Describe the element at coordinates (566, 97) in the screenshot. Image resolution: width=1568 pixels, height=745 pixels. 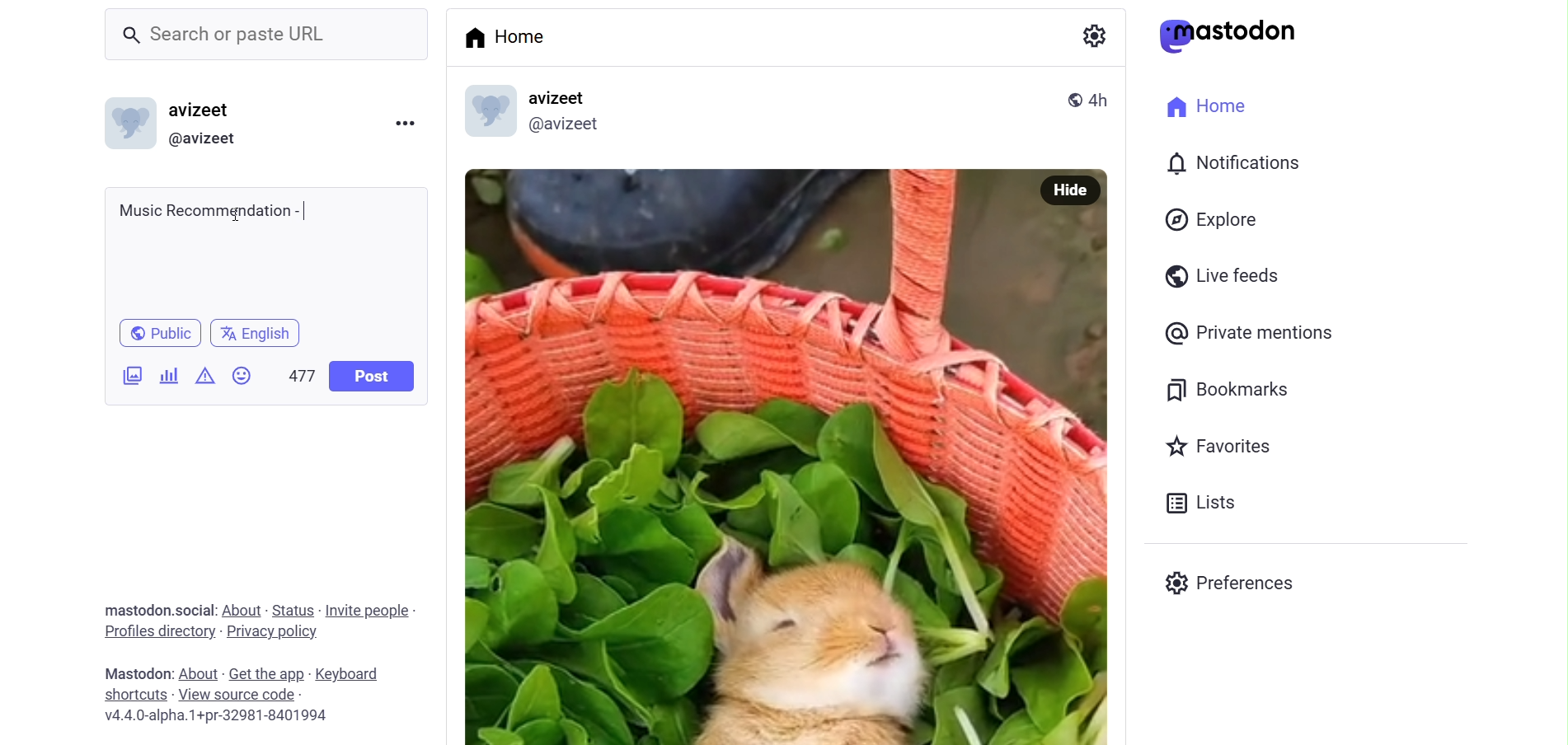
I see `avizeet` at that location.